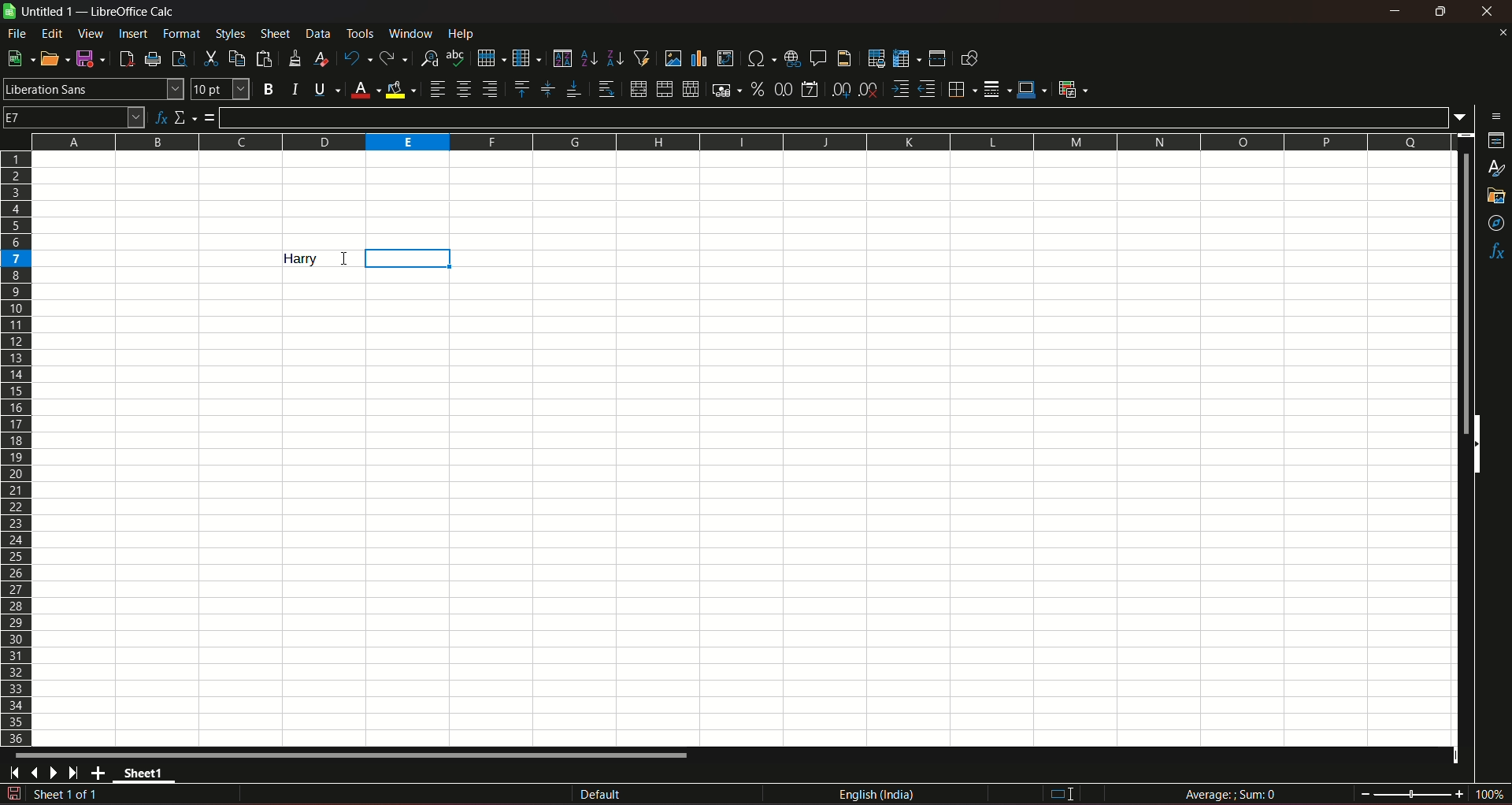 This screenshot has height=805, width=1512. Describe the element at coordinates (880, 795) in the screenshot. I see `language` at that location.